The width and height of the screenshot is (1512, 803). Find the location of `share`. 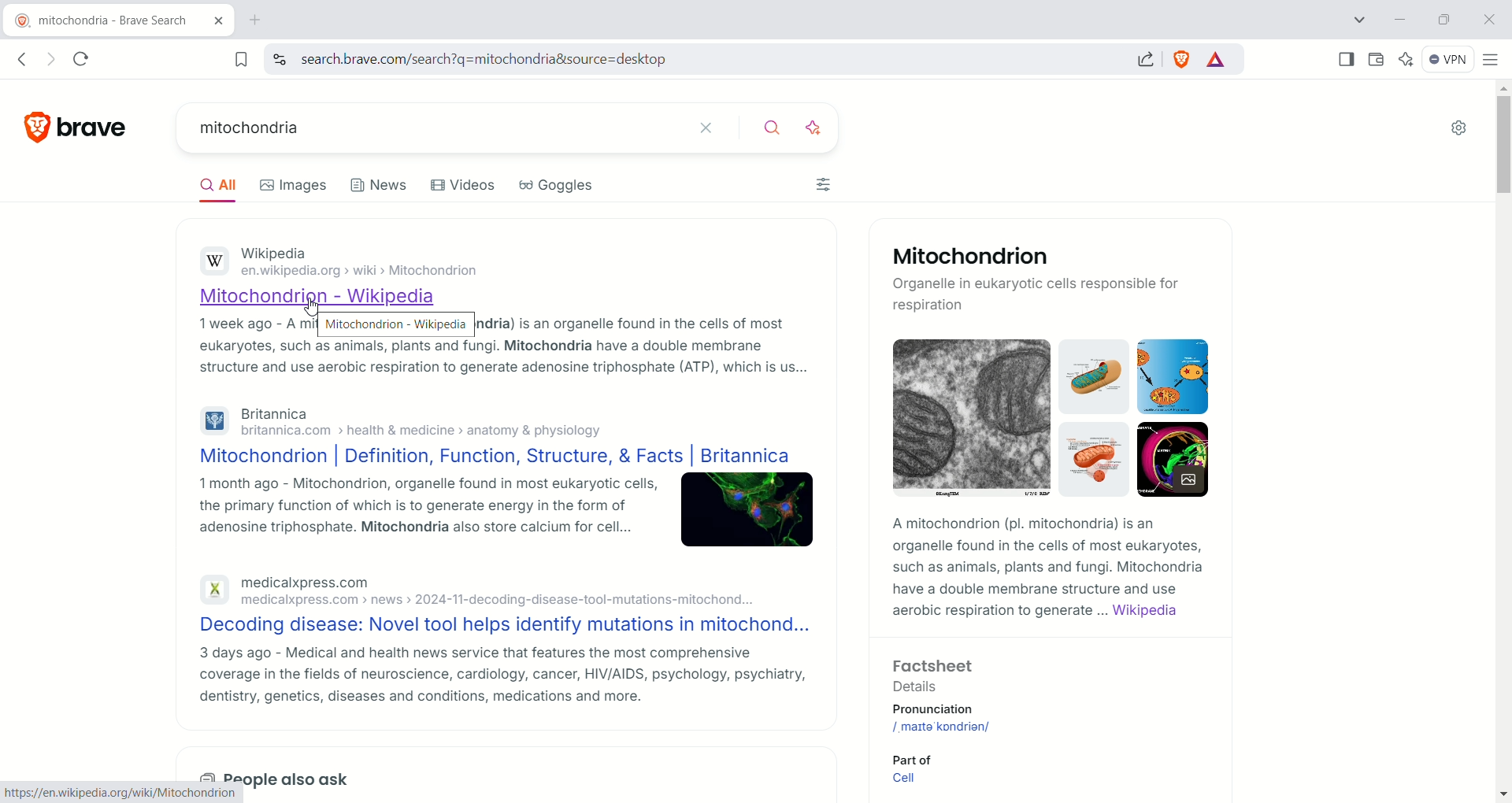

share is located at coordinates (1146, 60).